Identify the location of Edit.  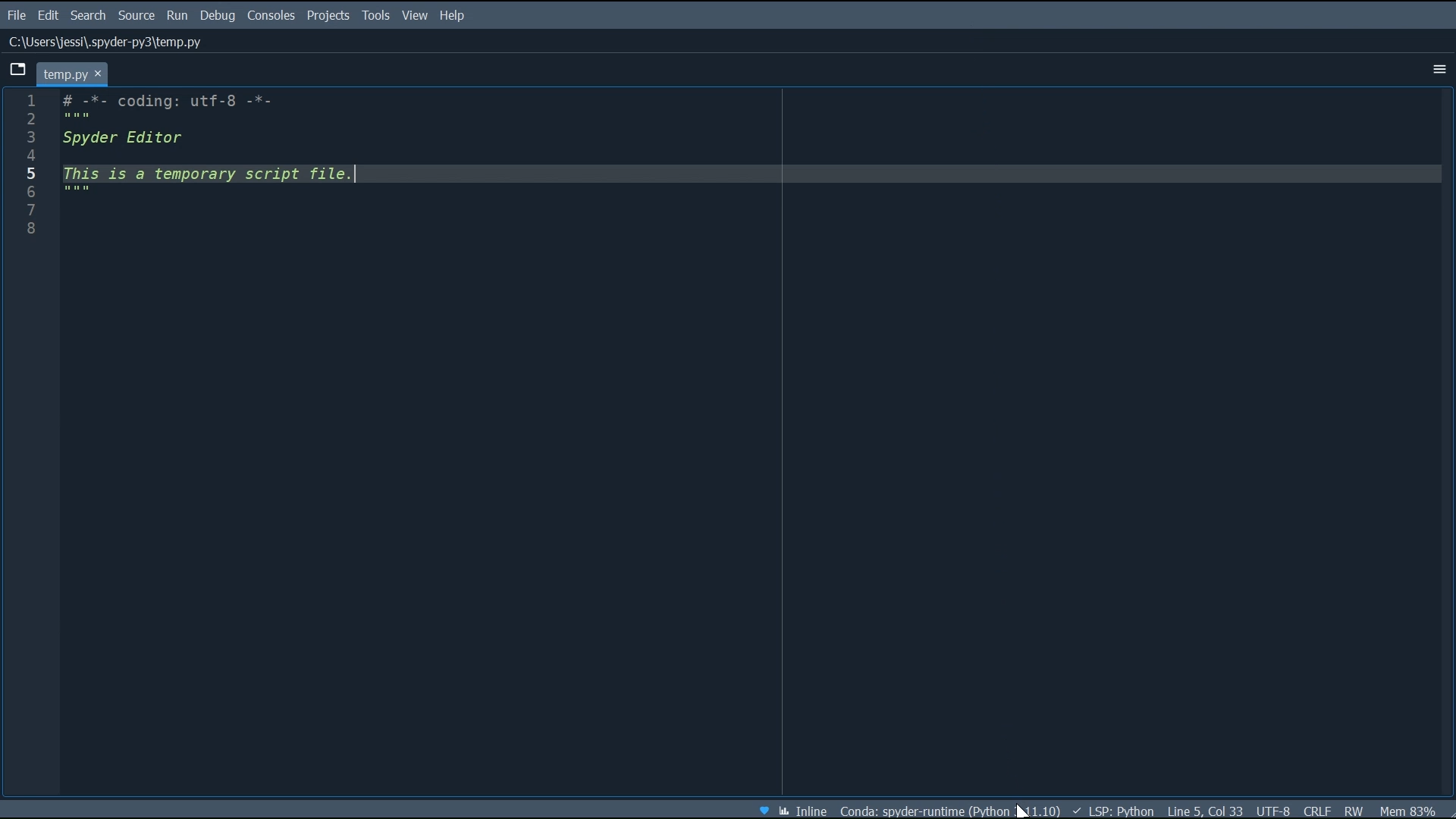
(49, 15).